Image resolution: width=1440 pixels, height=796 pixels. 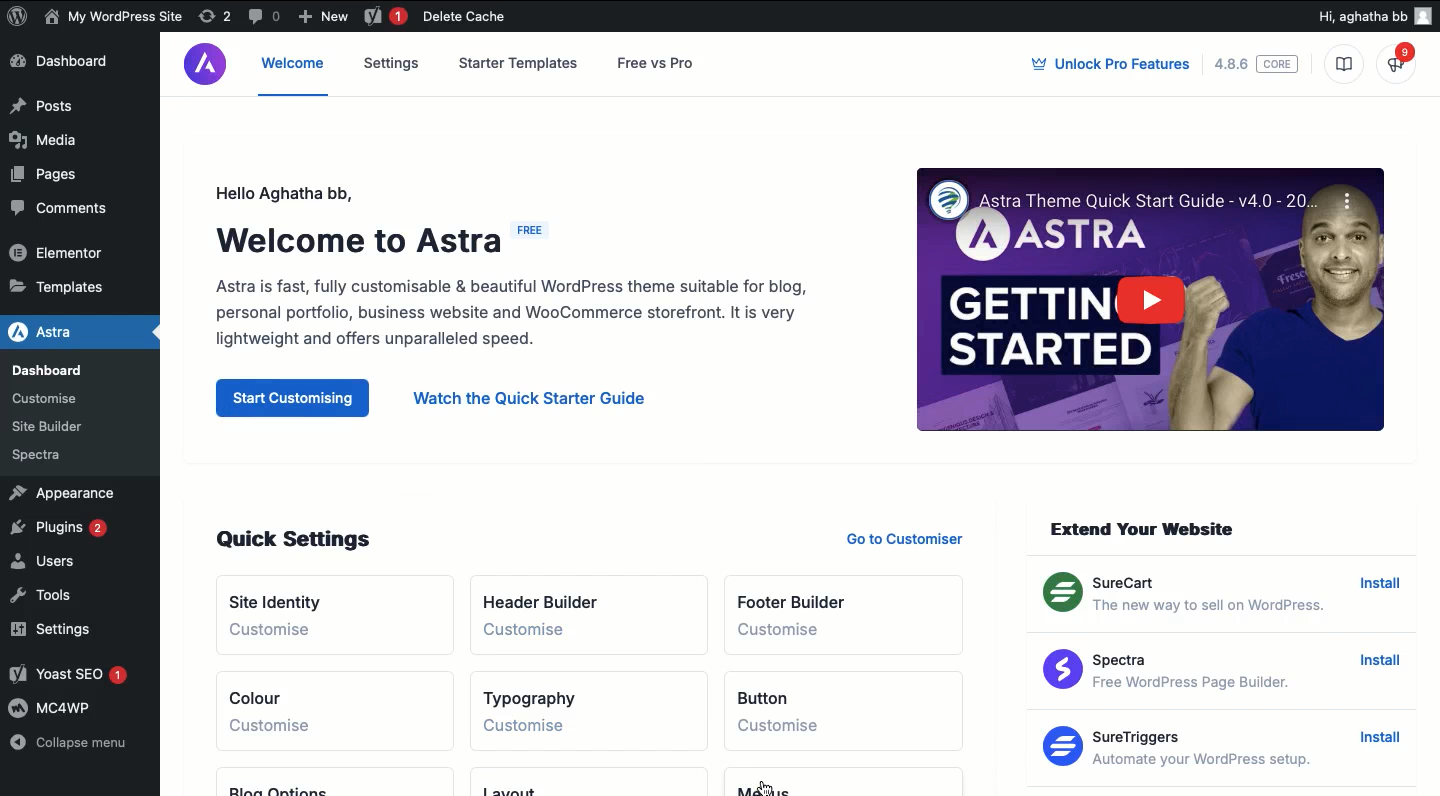 What do you see at coordinates (18, 16) in the screenshot?
I see `WordPress Logo` at bounding box center [18, 16].